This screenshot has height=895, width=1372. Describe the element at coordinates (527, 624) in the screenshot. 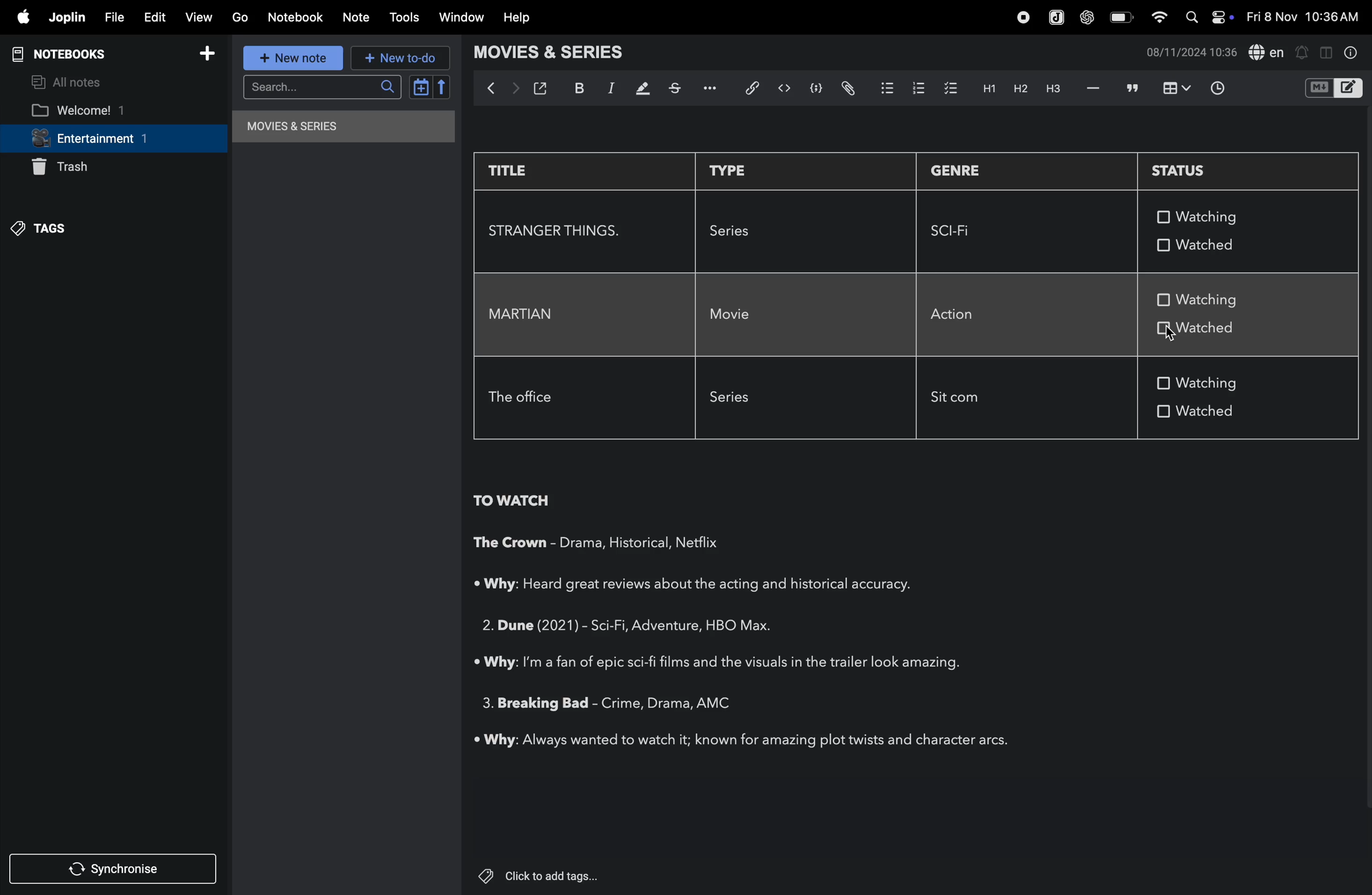

I see `title dune` at that location.